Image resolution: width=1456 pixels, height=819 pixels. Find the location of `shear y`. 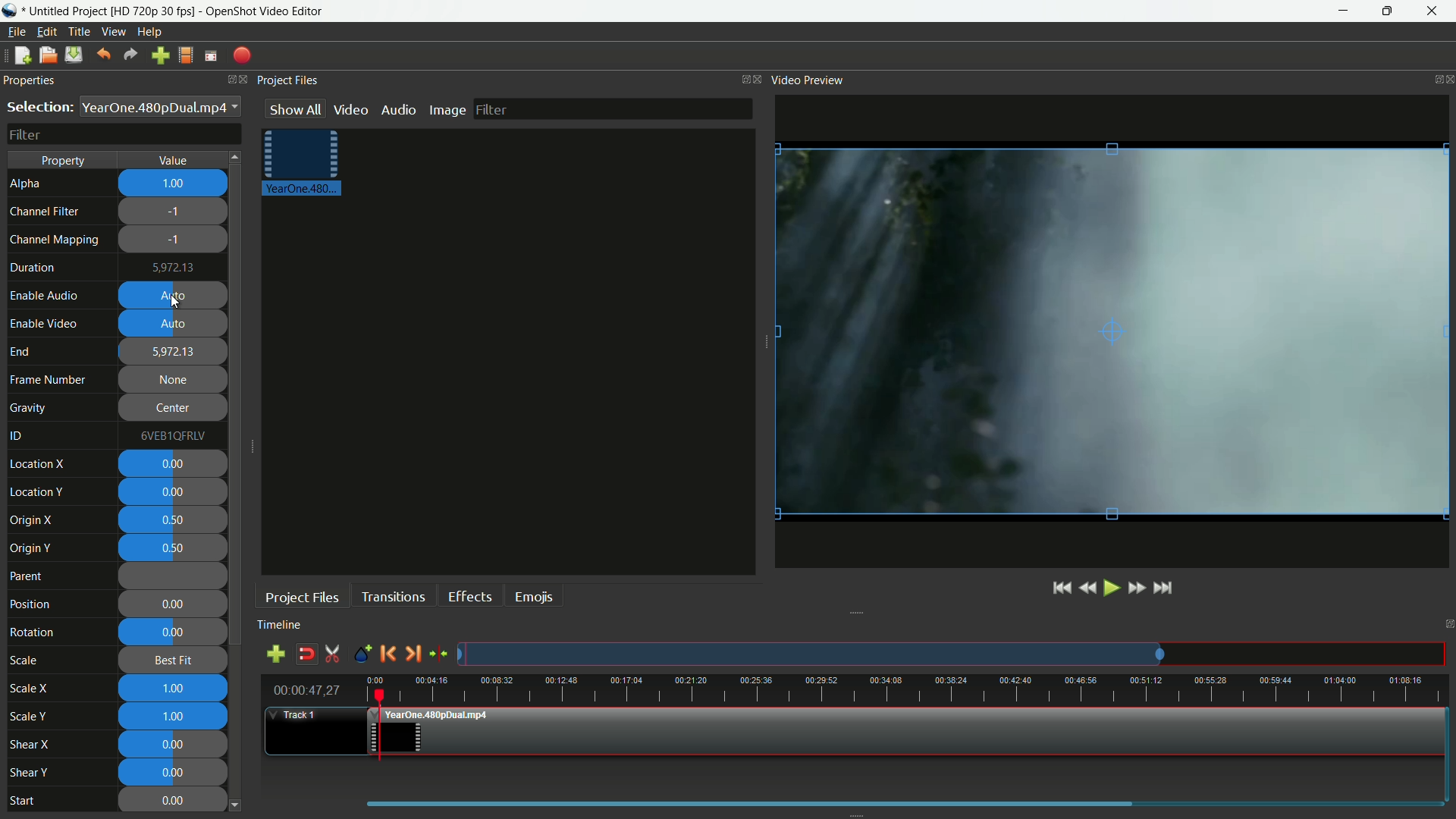

shear y is located at coordinates (29, 773).